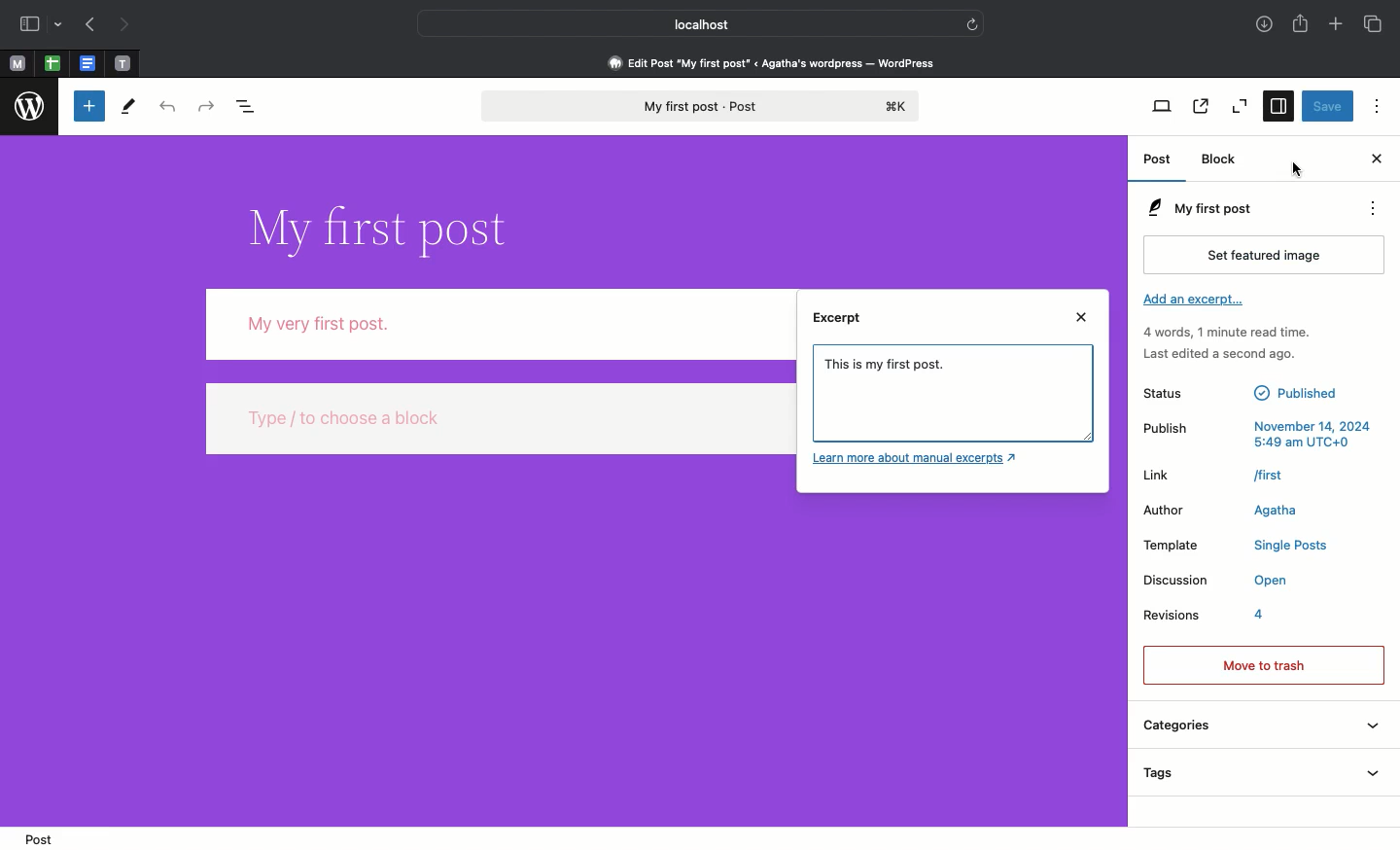  Describe the element at coordinates (1259, 728) in the screenshot. I see `Categories` at that location.